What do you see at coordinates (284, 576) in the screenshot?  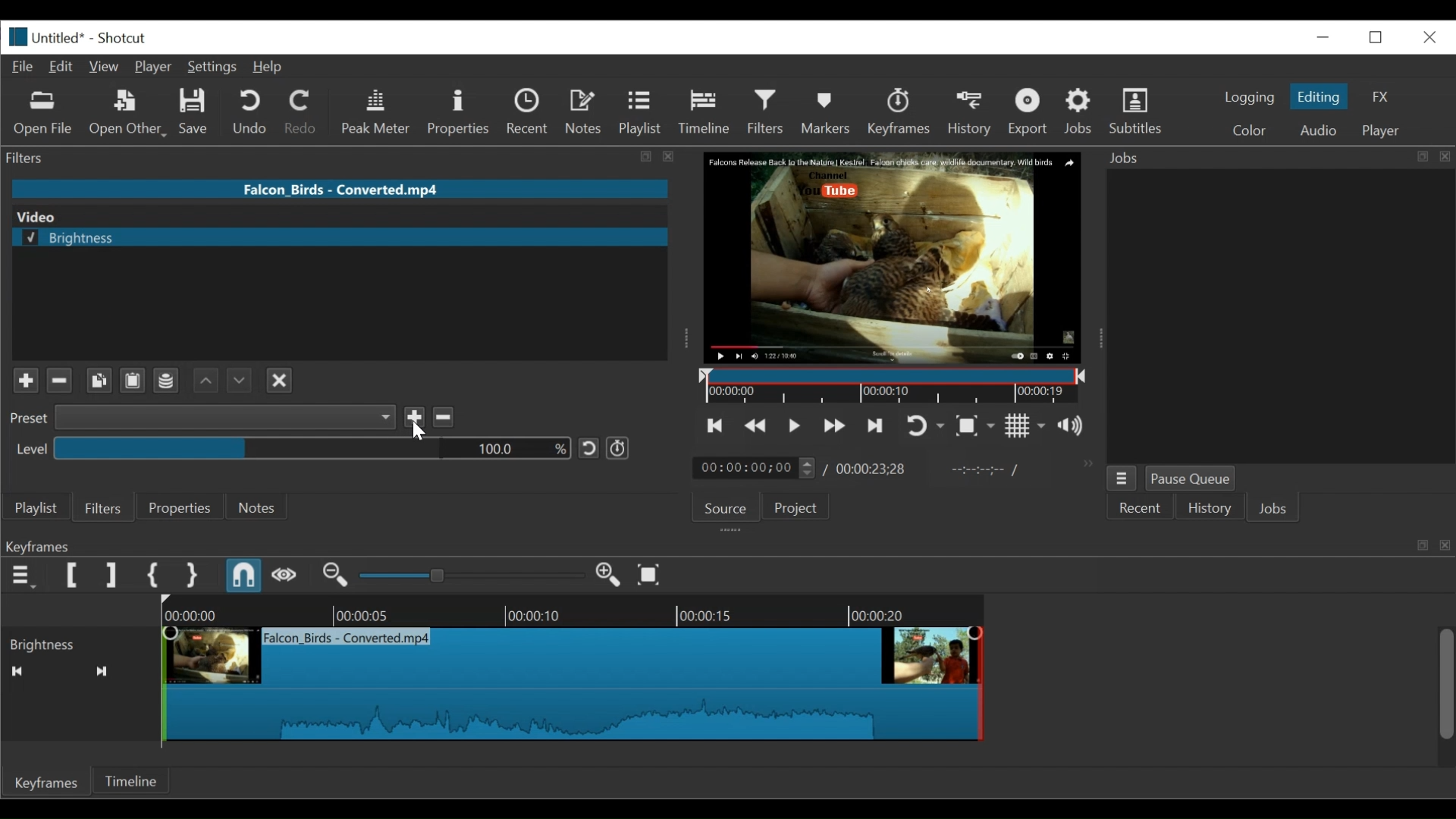 I see `Scrub while dragging` at bounding box center [284, 576].